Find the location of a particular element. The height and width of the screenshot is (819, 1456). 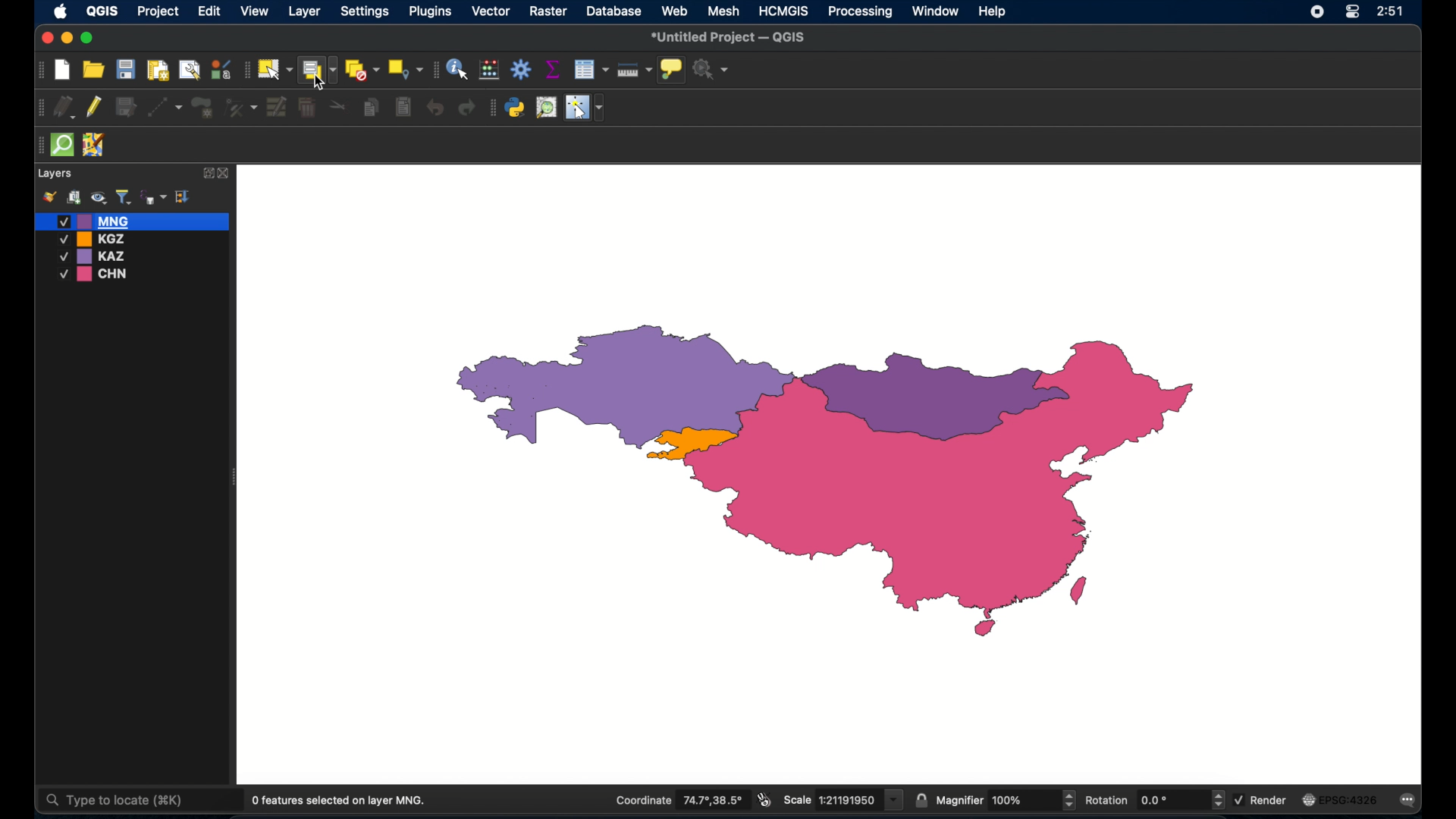

save project is located at coordinates (125, 69).